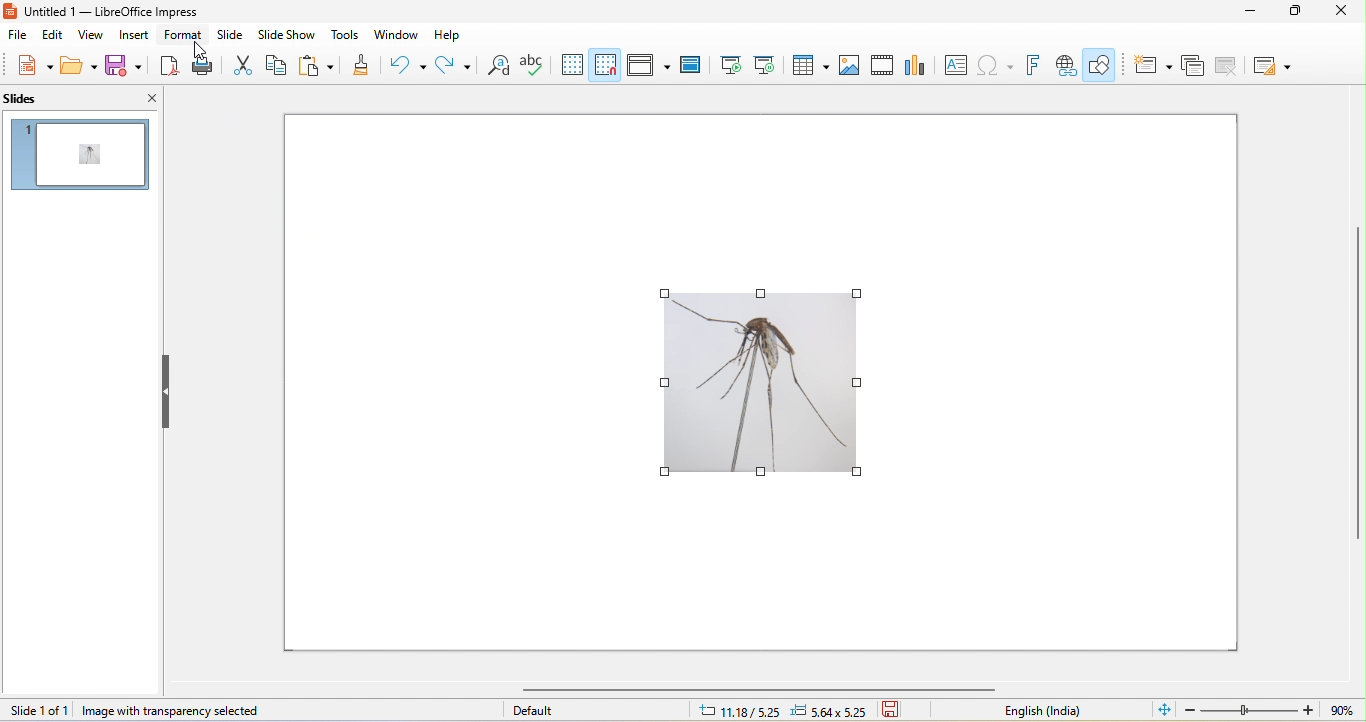  What do you see at coordinates (126, 67) in the screenshot?
I see `save` at bounding box center [126, 67].